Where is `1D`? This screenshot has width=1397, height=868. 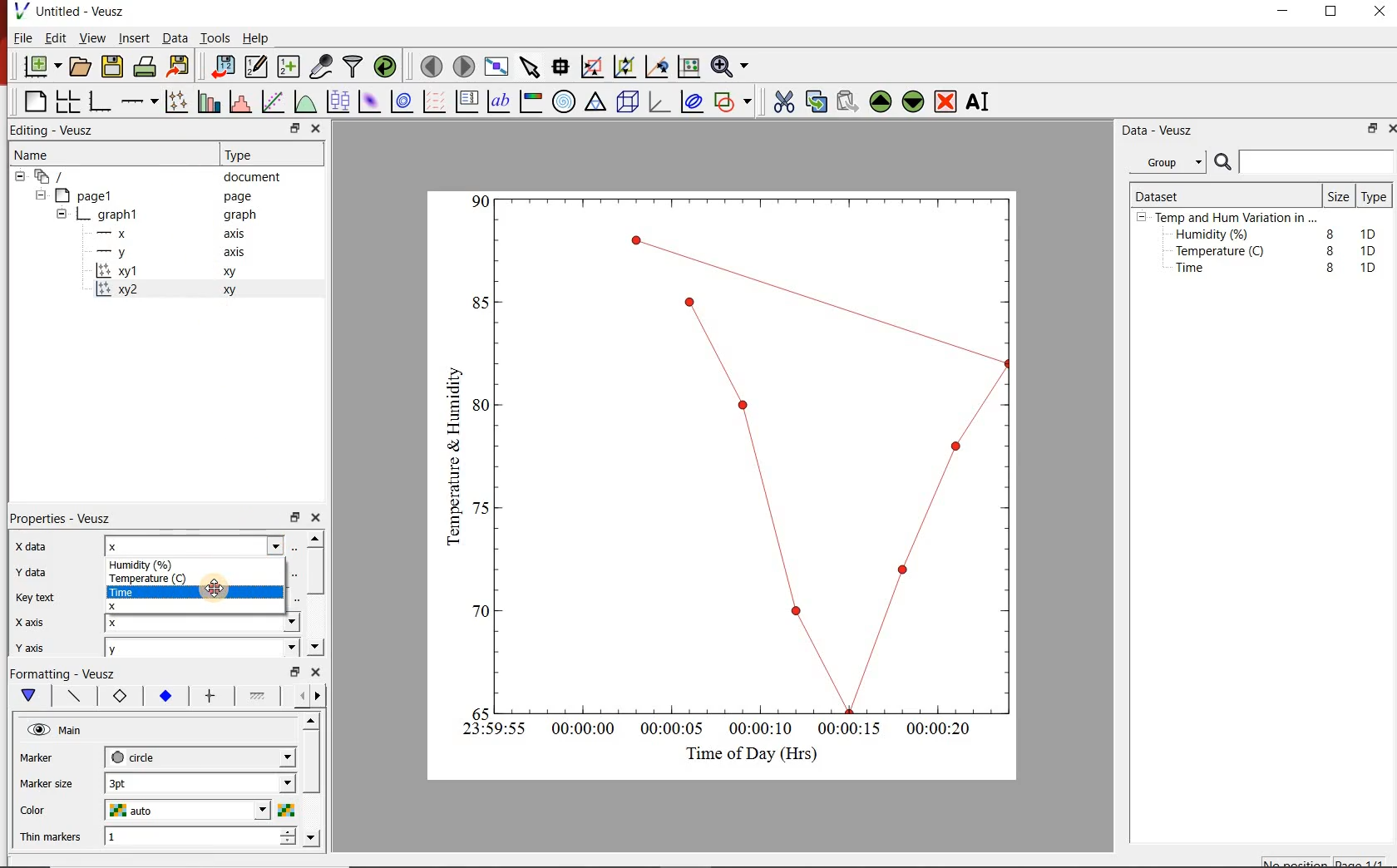
1D is located at coordinates (1372, 232).